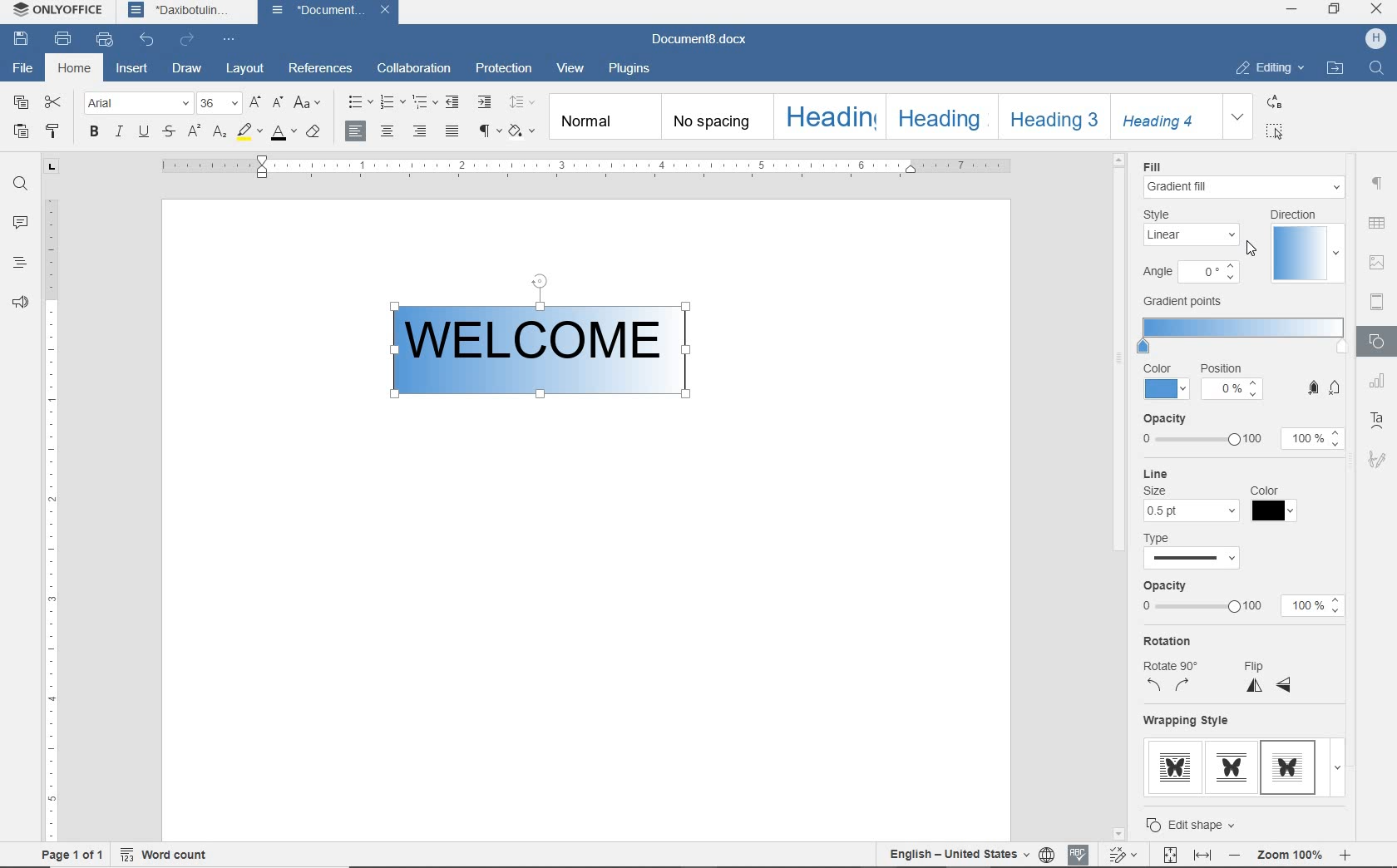  What do you see at coordinates (20, 302) in the screenshot?
I see `FEEDBACK & SUPPORT` at bounding box center [20, 302].